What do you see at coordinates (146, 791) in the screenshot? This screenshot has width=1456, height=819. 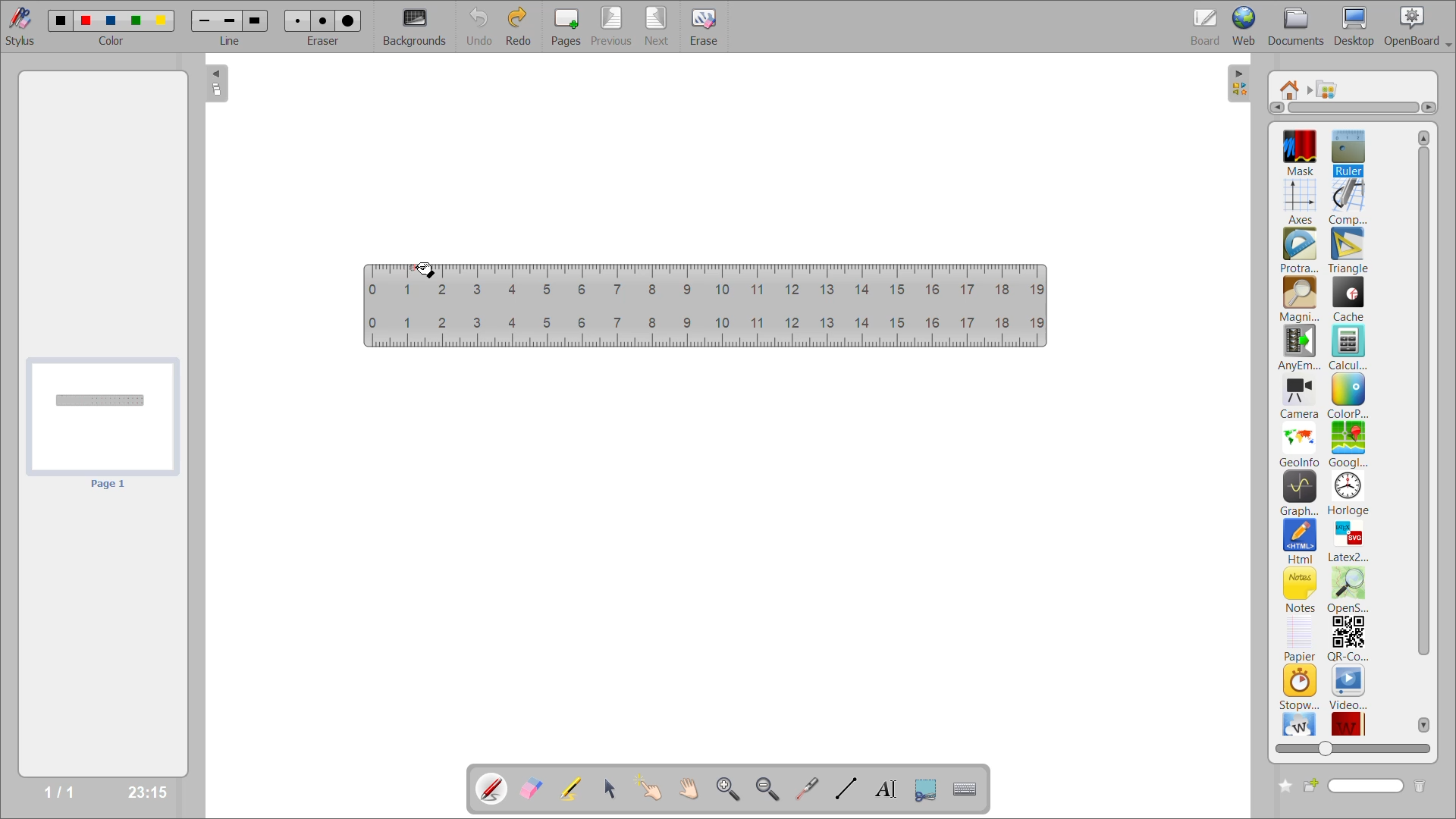 I see `23:15` at bounding box center [146, 791].